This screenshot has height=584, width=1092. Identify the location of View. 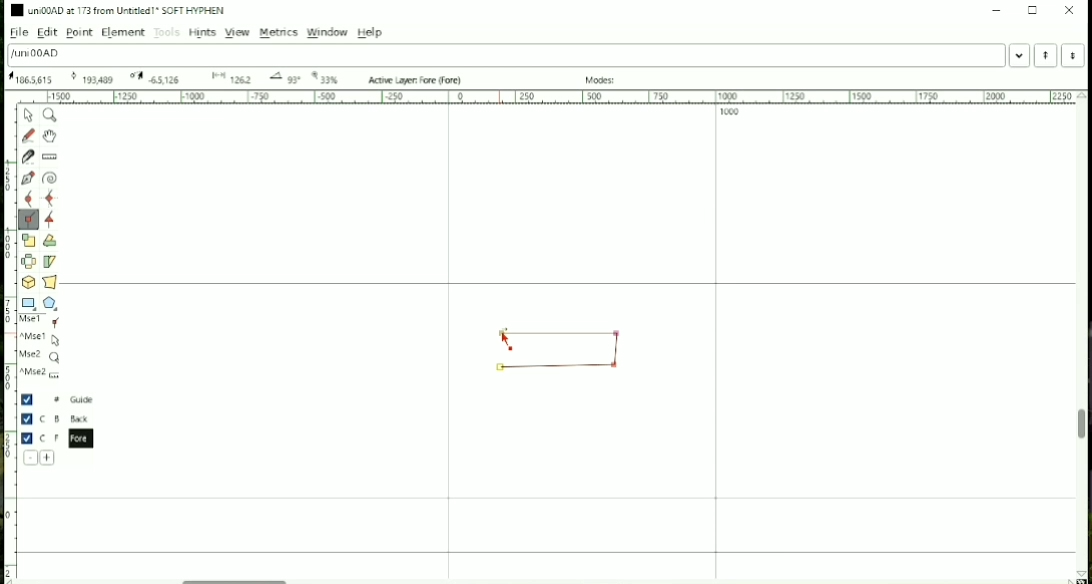
(236, 32).